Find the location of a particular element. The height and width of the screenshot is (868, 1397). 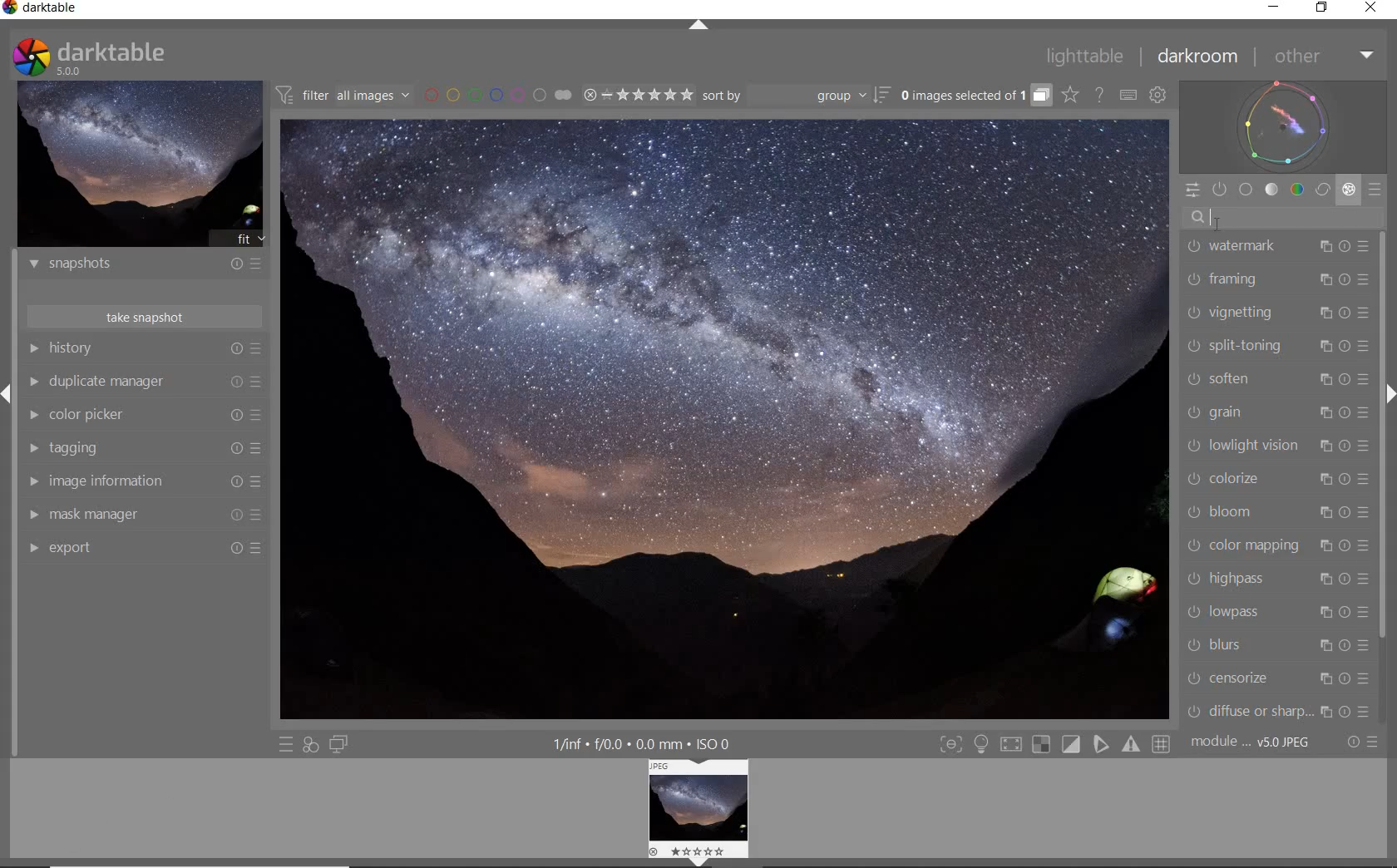

reset parameters is located at coordinates (1345, 344).